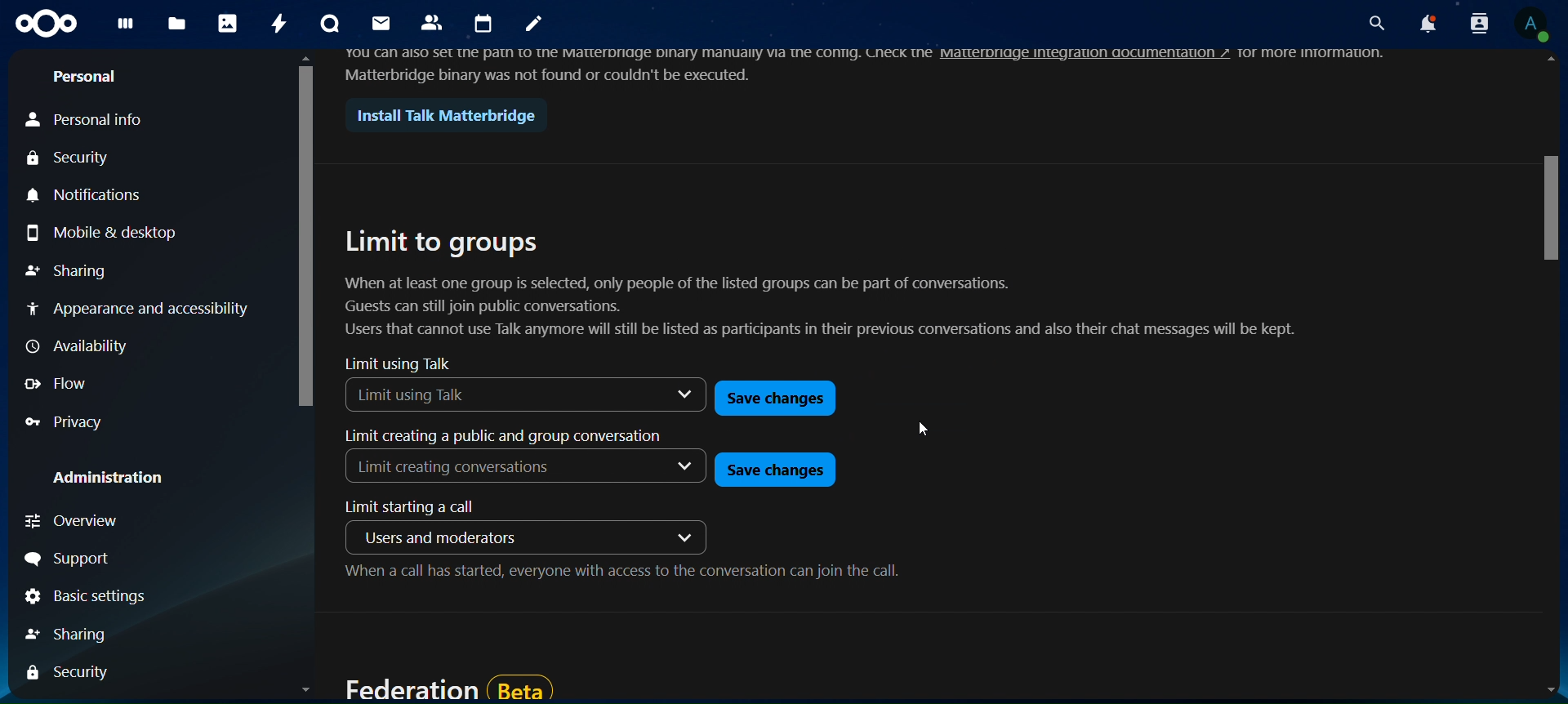 The height and width of the screenshot is (704, 1568). I want to click on dropdown, so click(671, 394).